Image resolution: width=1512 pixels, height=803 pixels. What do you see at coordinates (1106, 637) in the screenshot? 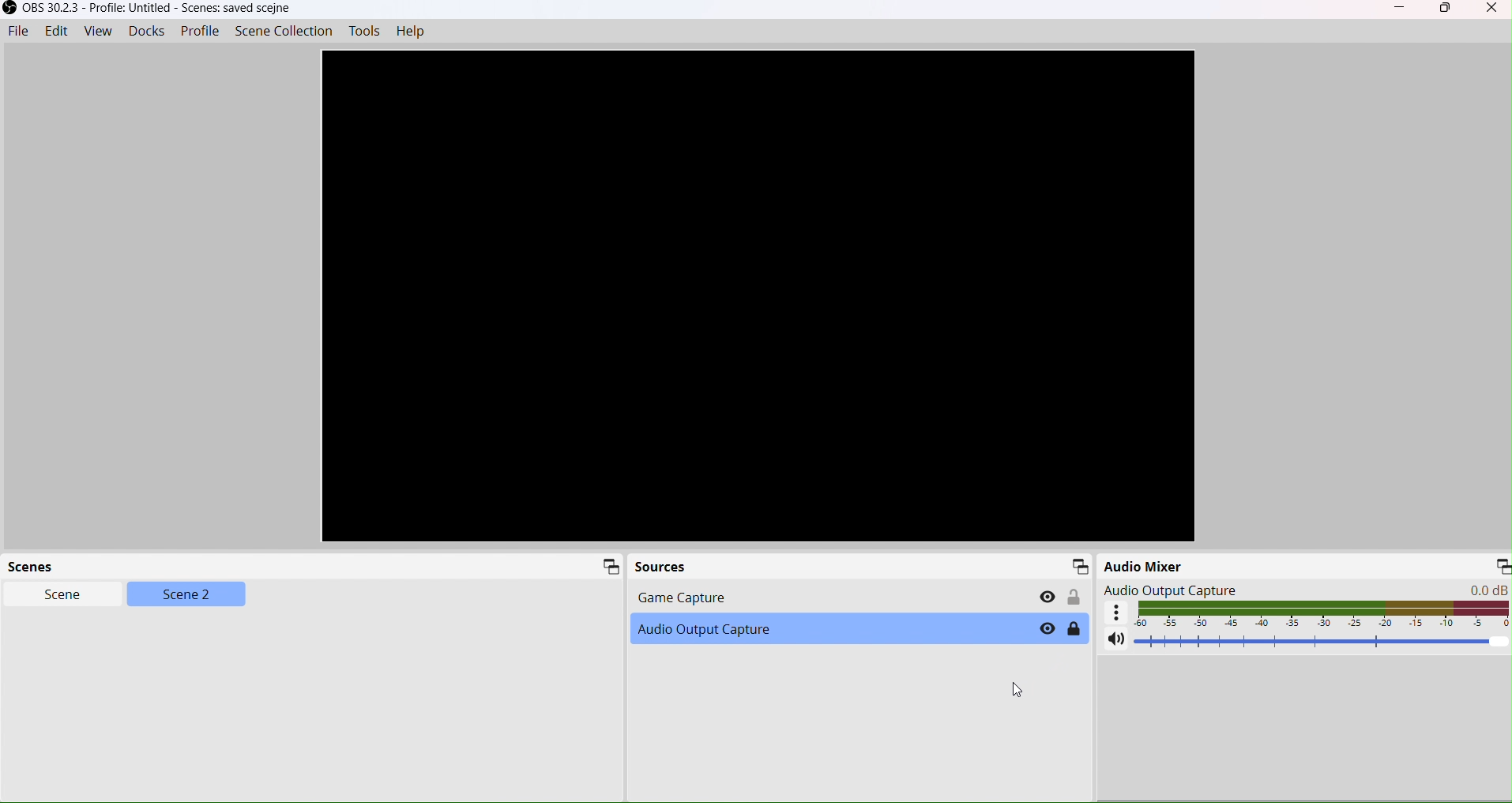
I see `Volume mute/unmute` at bounding box center [1106, 637].